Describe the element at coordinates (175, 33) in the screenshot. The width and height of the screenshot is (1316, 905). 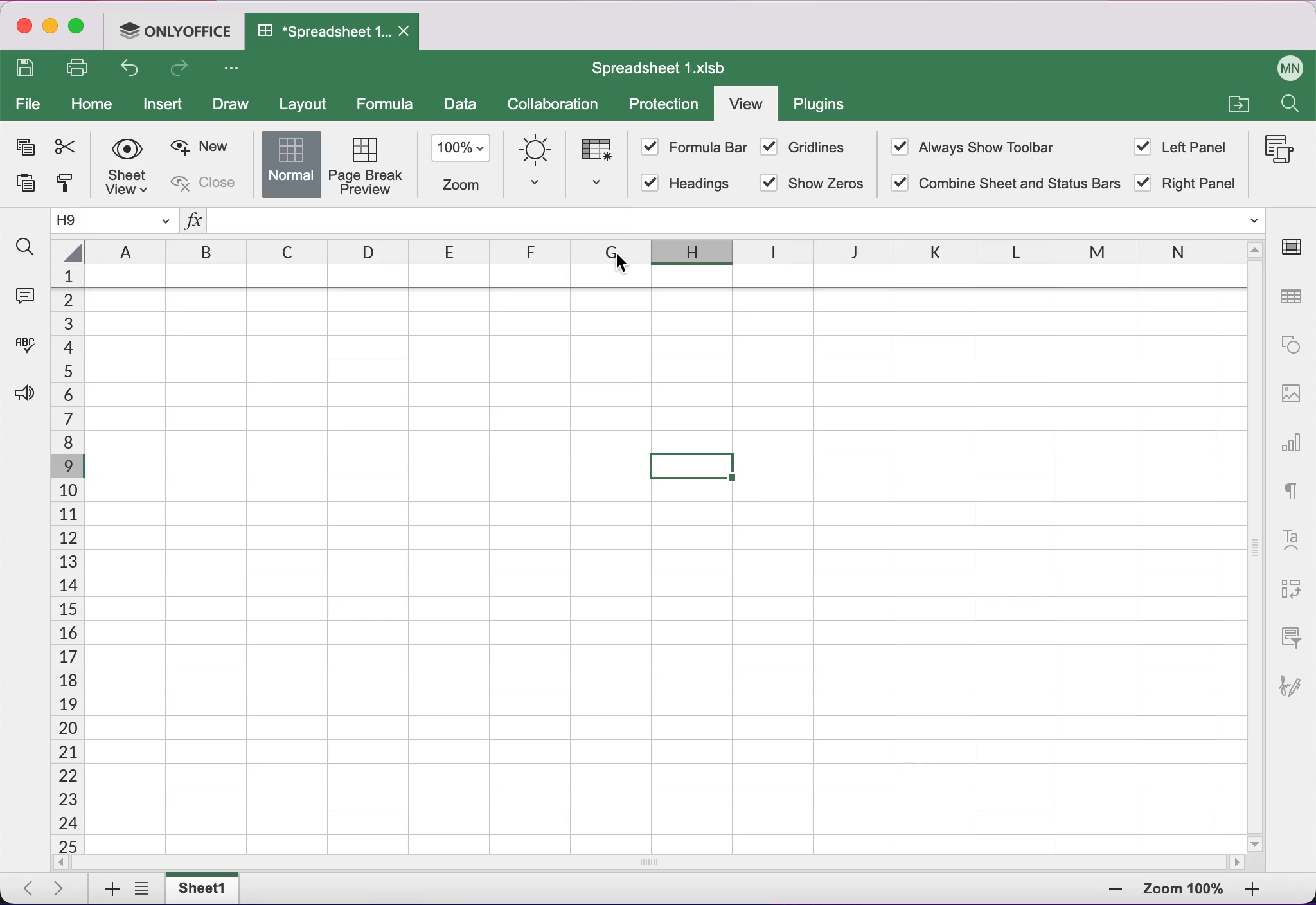
I see `onlyoffice` at that location.